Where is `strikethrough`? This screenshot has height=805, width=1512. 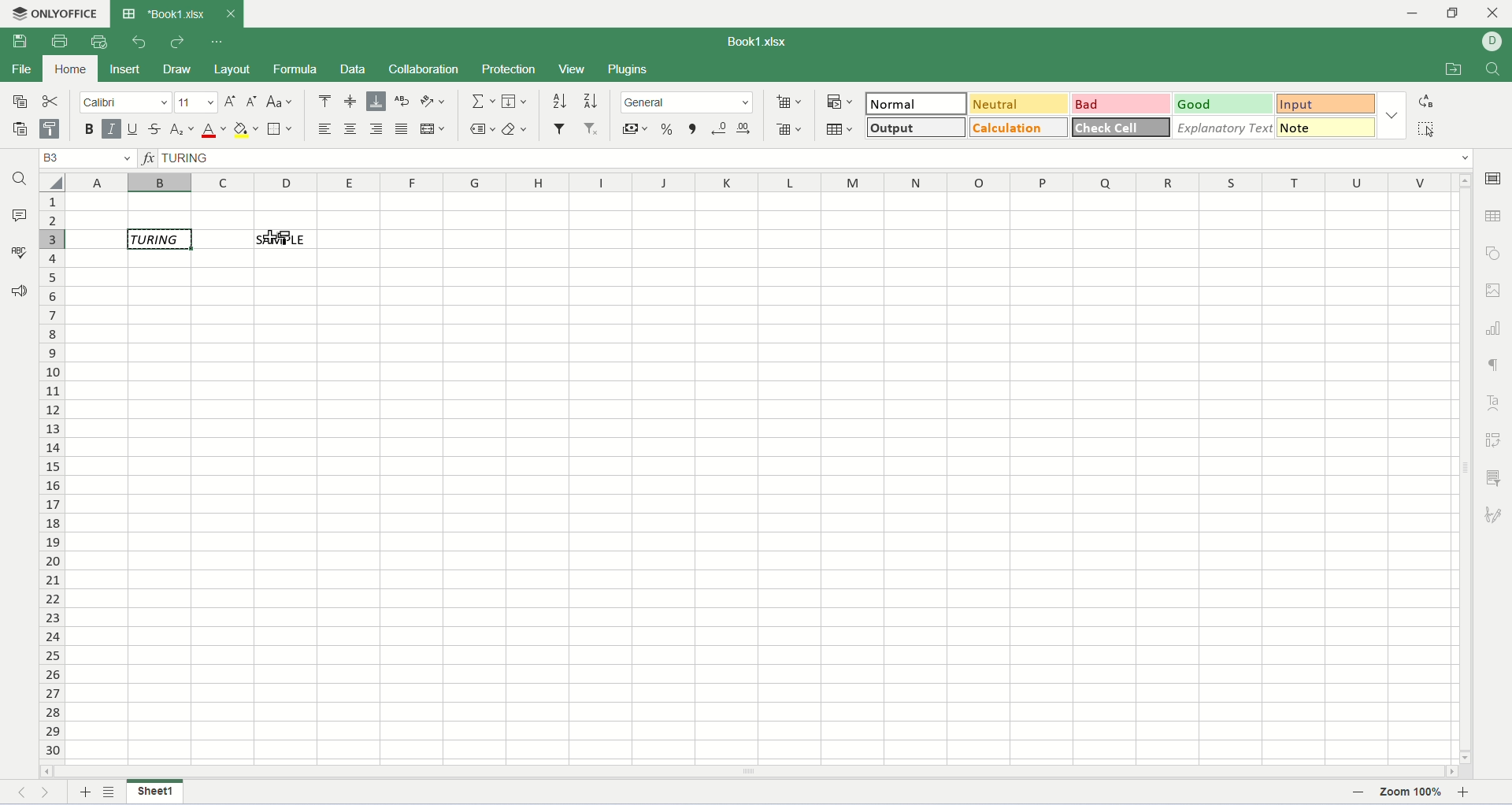
strikethrough is located at coordinates (157, 130).